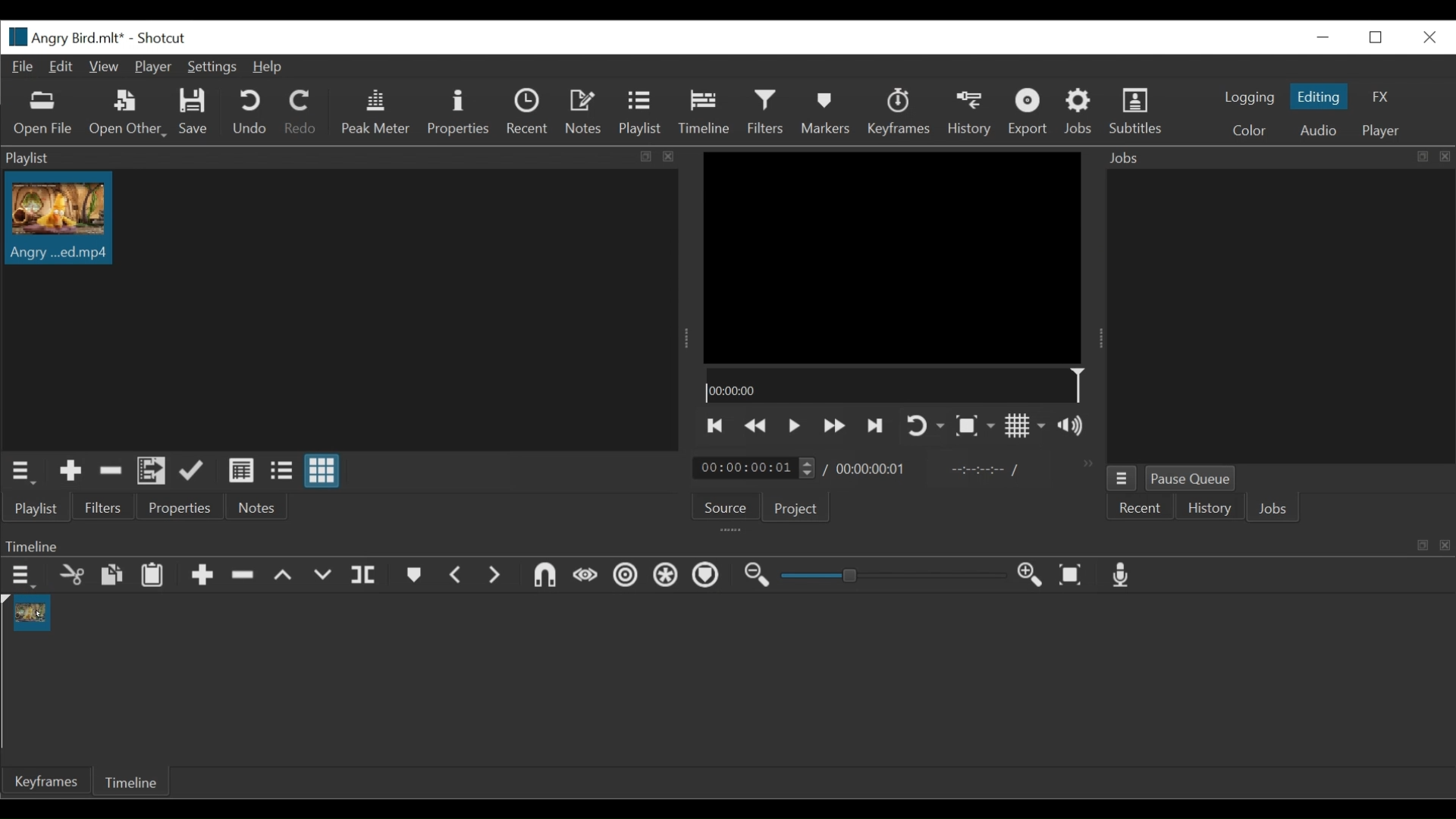 This screenshot has width=1456, height=819. What do you see at coordinates (896, 576) in the screenshot?
I see `Zoom Slider` at bounding box center [896, 576].